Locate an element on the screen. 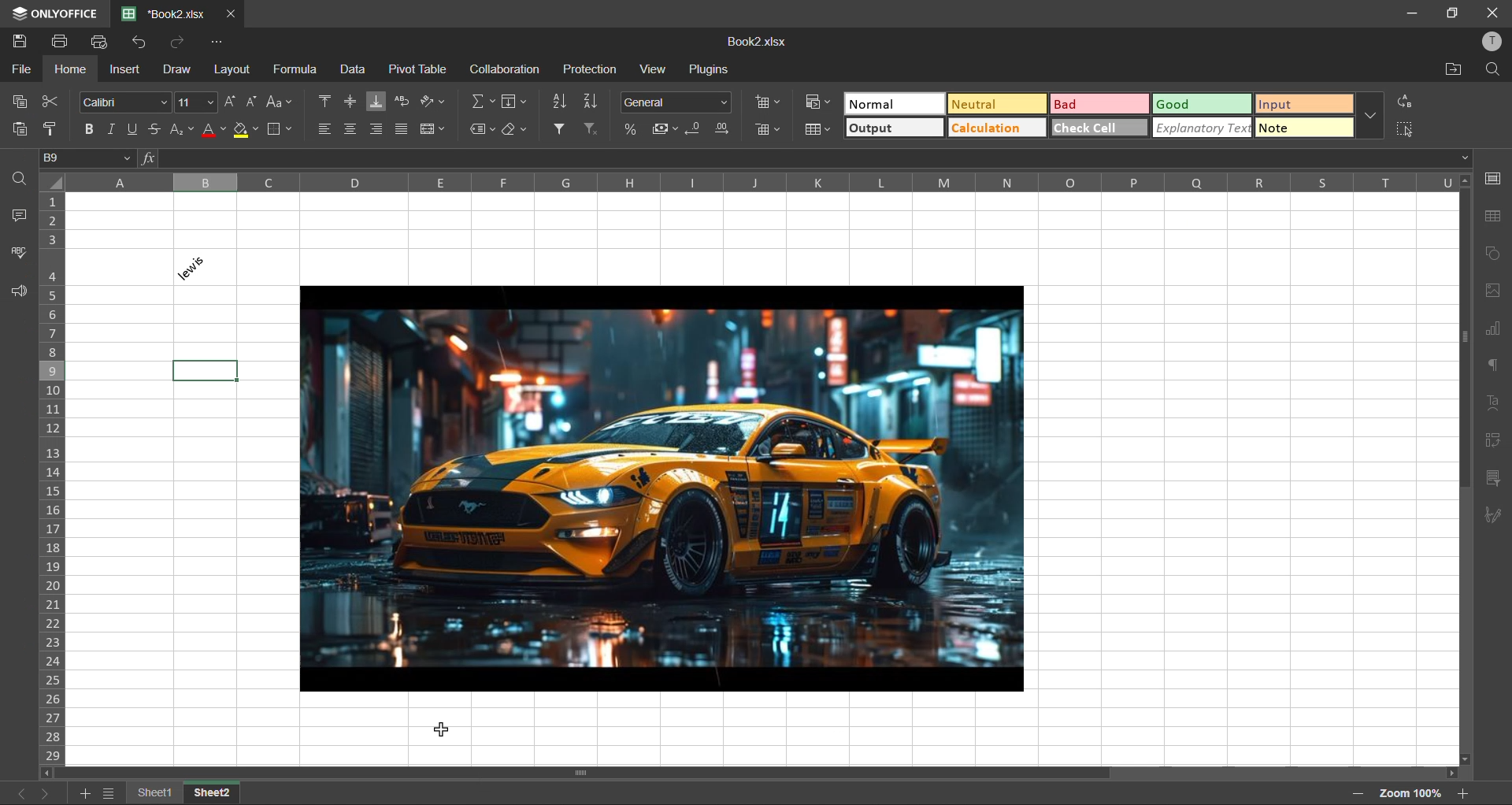 This screenshot has width=1512, height=805. slicer is located at coordinates (1495, 478).